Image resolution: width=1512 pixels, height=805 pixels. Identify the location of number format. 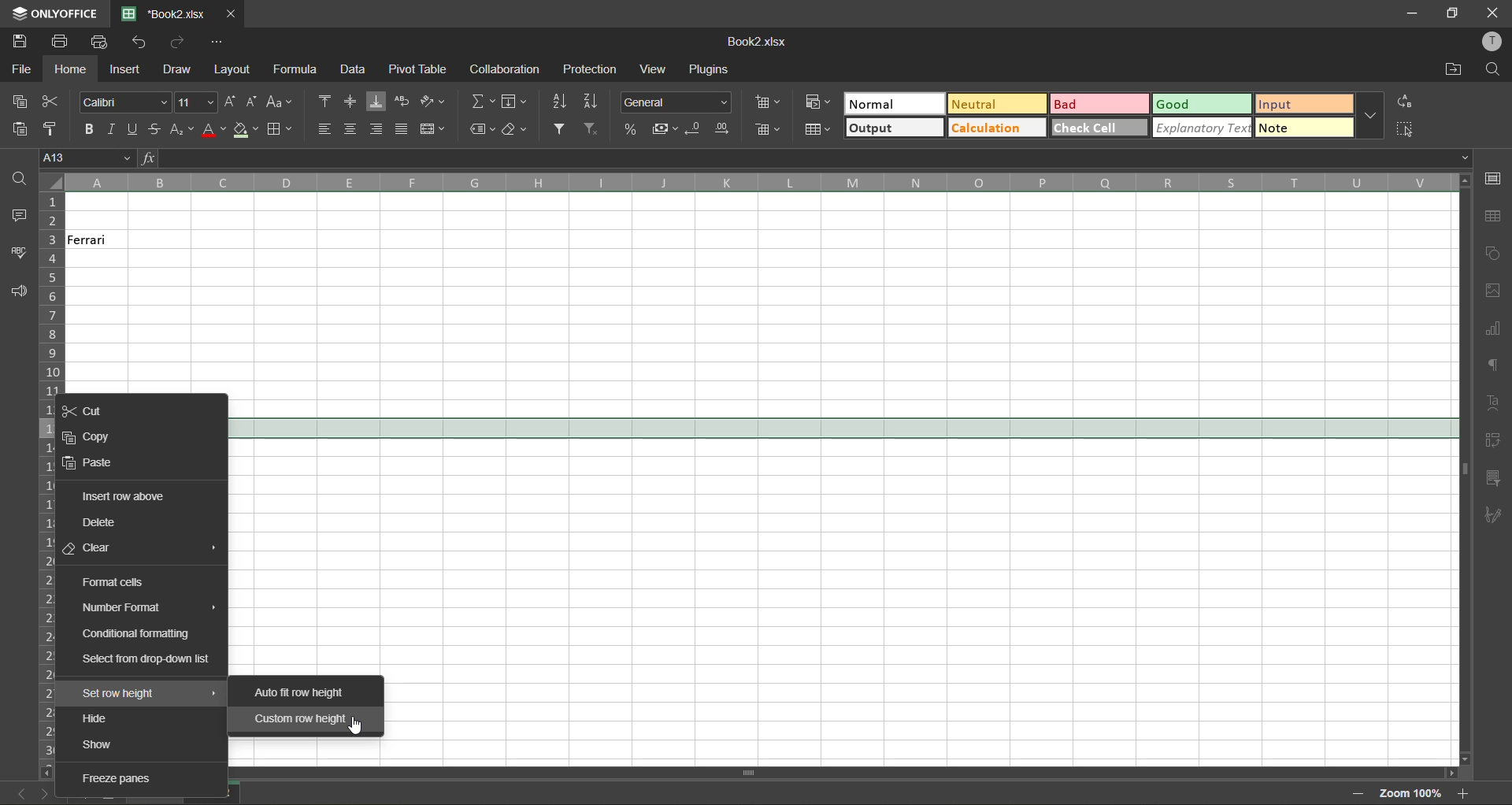
(148, 610).